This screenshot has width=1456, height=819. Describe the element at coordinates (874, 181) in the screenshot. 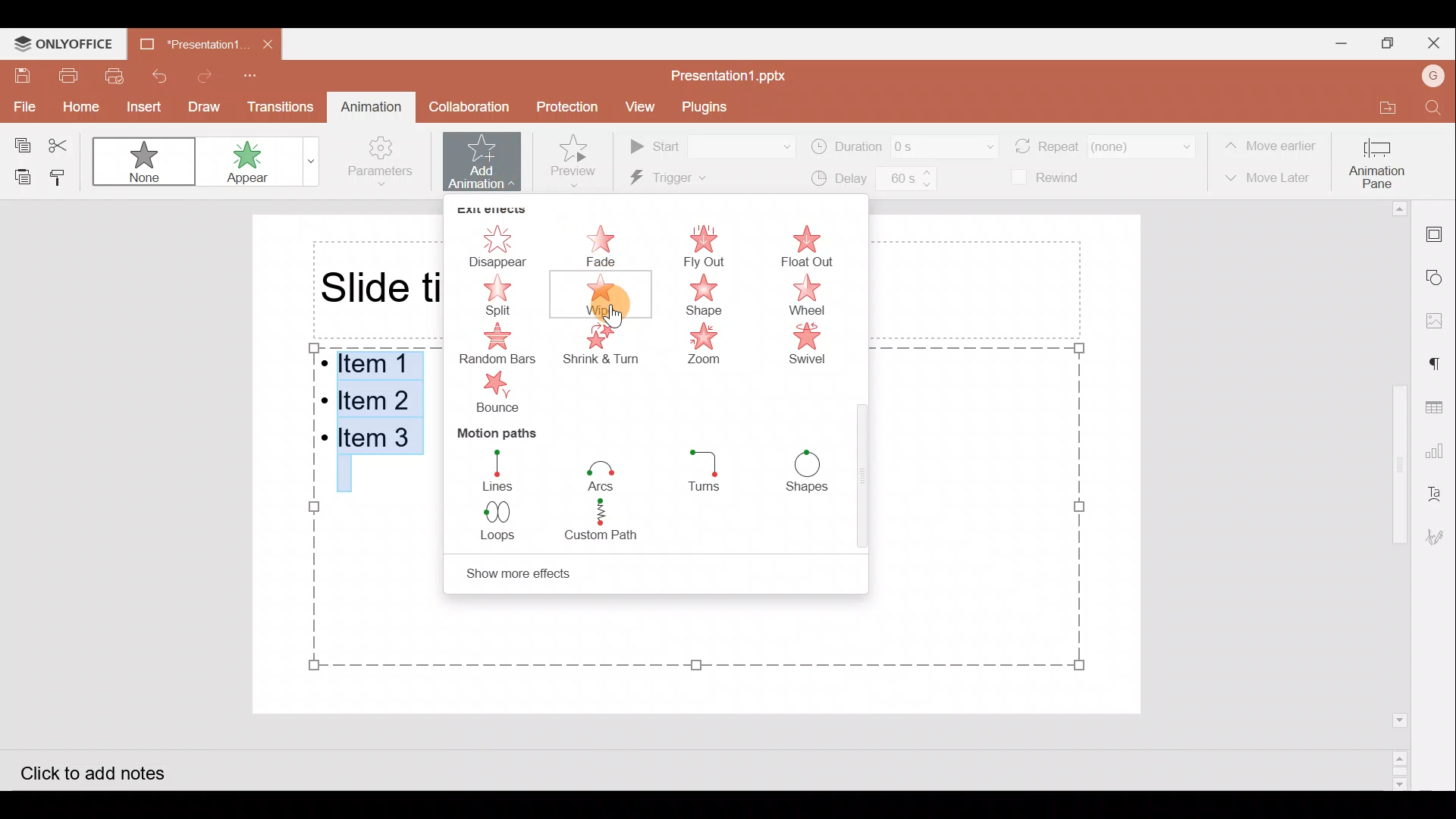

I see `Delay` at that location.